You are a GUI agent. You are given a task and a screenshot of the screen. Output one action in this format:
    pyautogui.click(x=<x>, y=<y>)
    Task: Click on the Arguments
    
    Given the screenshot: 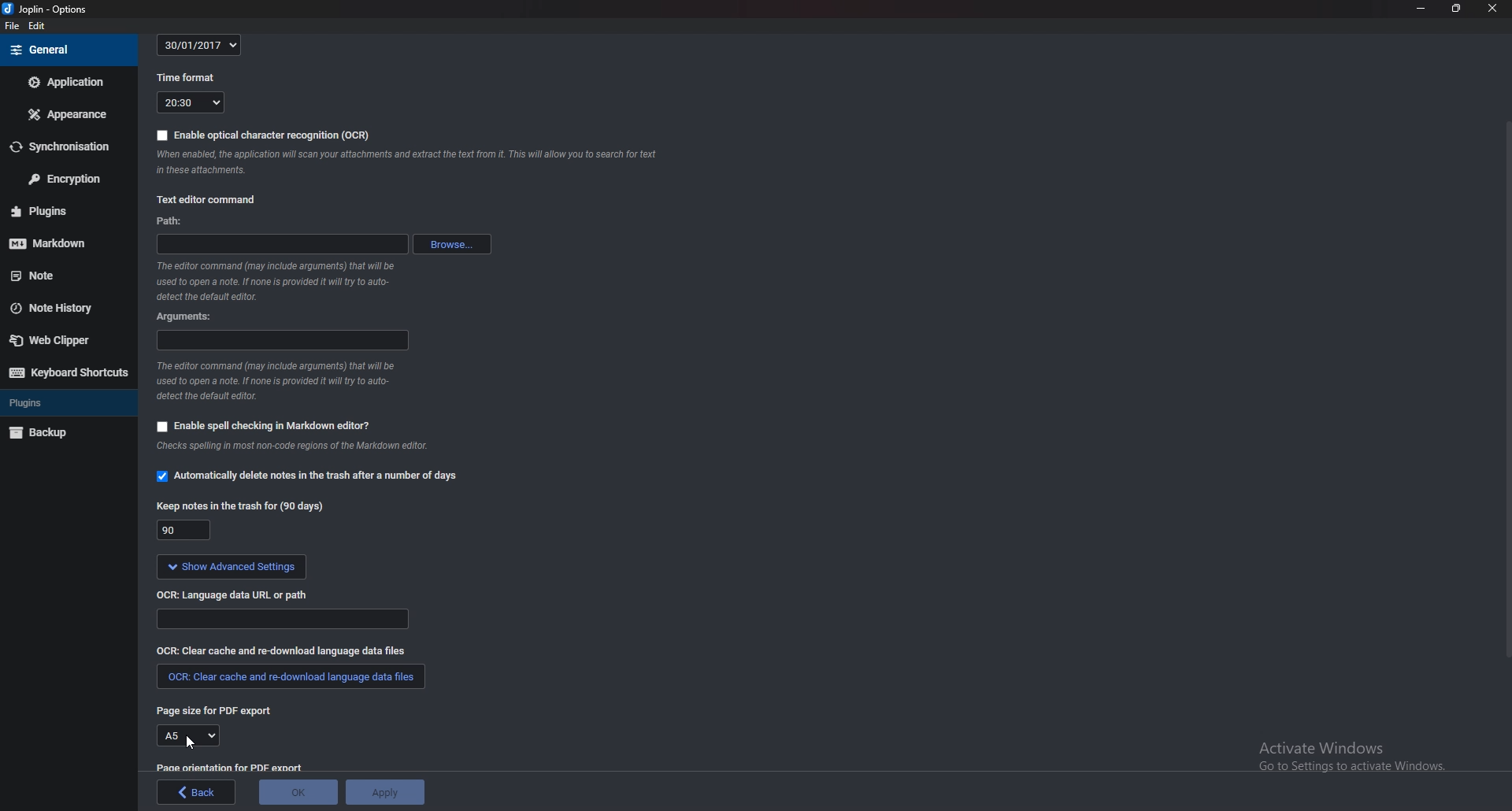 What is the action you would take?
    pyautogui.click(x=185, y=317)
    